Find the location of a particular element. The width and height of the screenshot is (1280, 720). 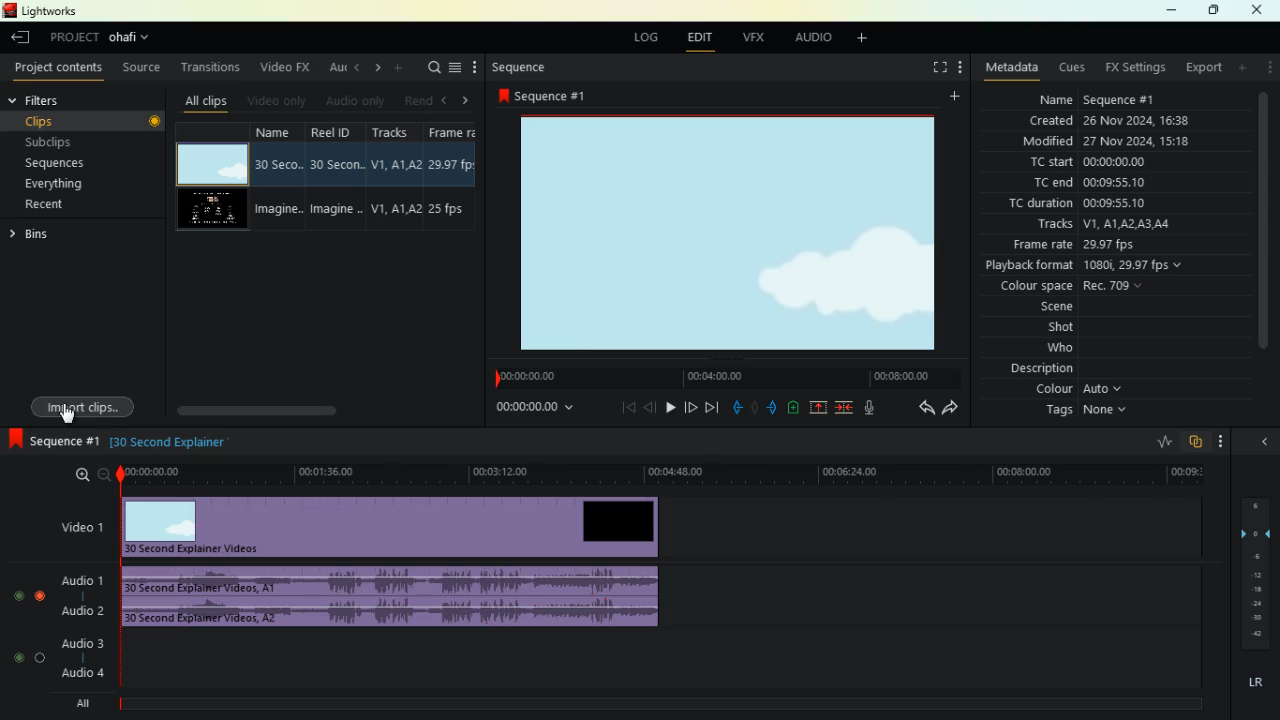

merge is located at coordinates (845, 408).